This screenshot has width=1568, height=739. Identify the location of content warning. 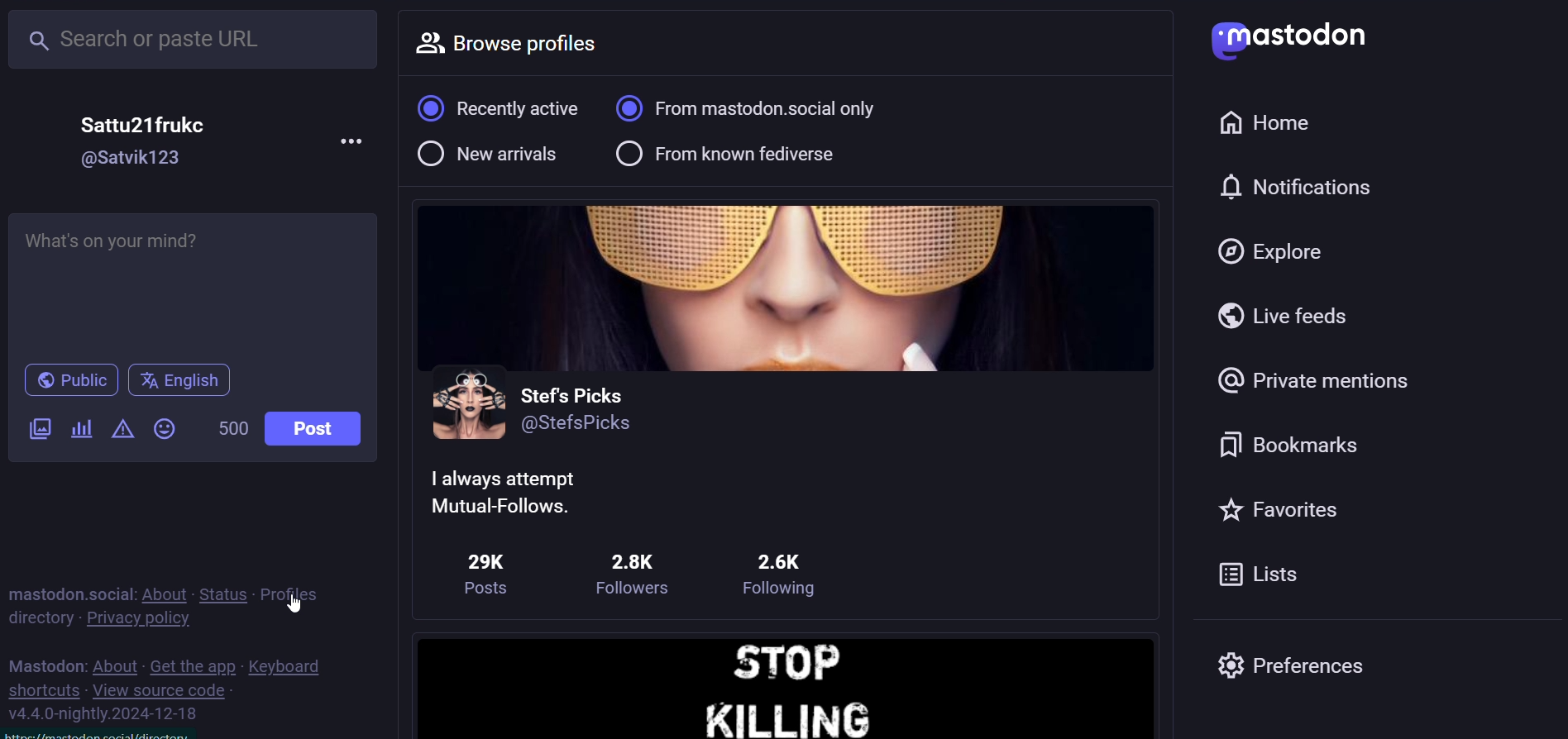
(123, 430).